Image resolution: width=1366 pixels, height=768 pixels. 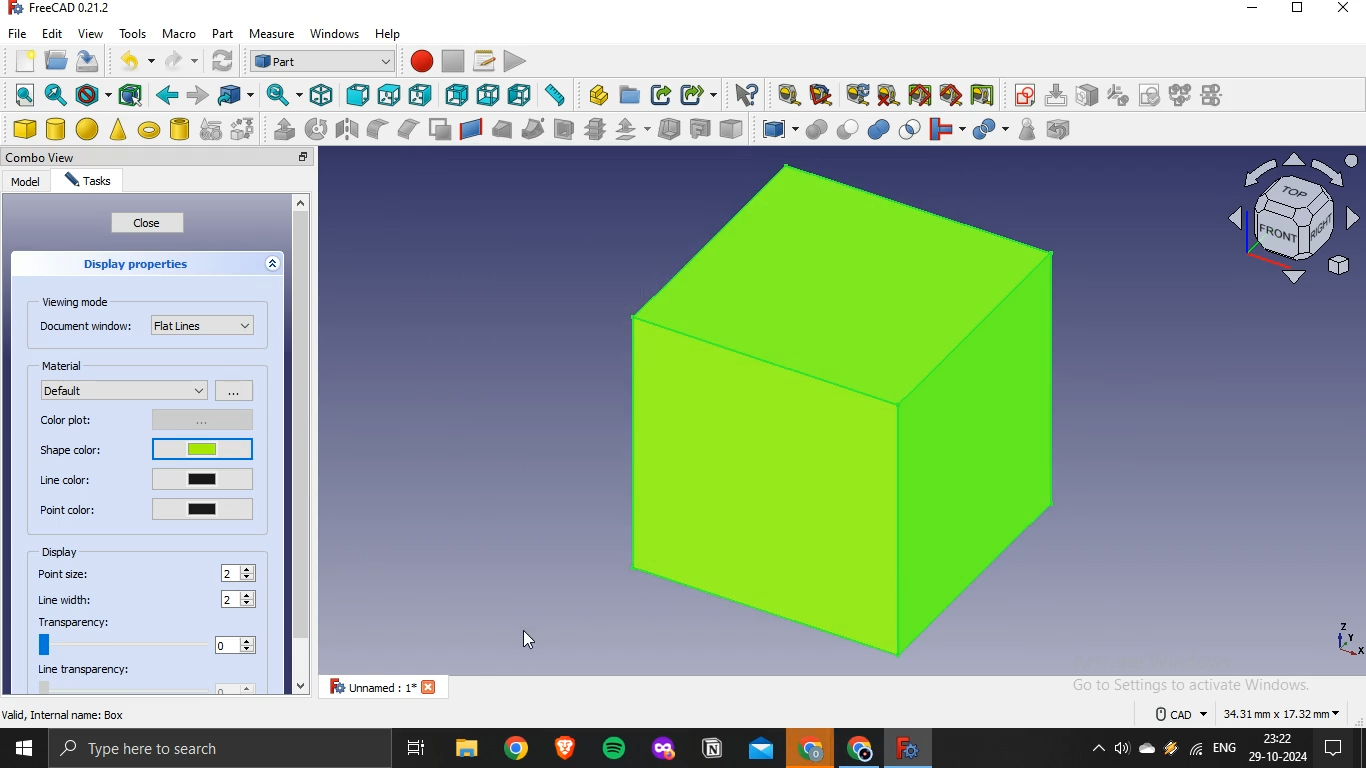 I want to click on restore tab, so click(x=281, y=157).